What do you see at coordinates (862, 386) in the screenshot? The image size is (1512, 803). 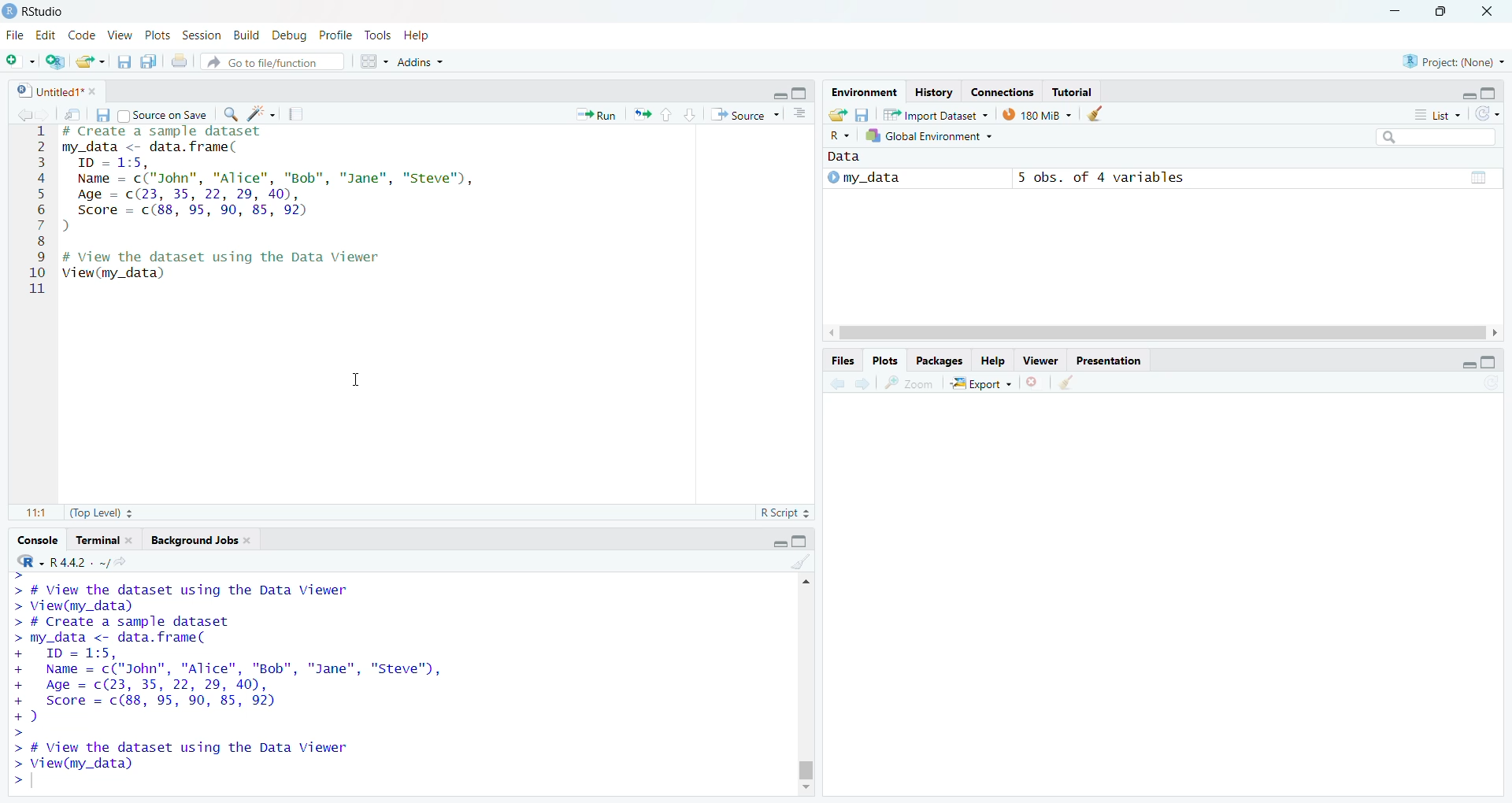 I see `Forward` at bounding box center [862, 386].